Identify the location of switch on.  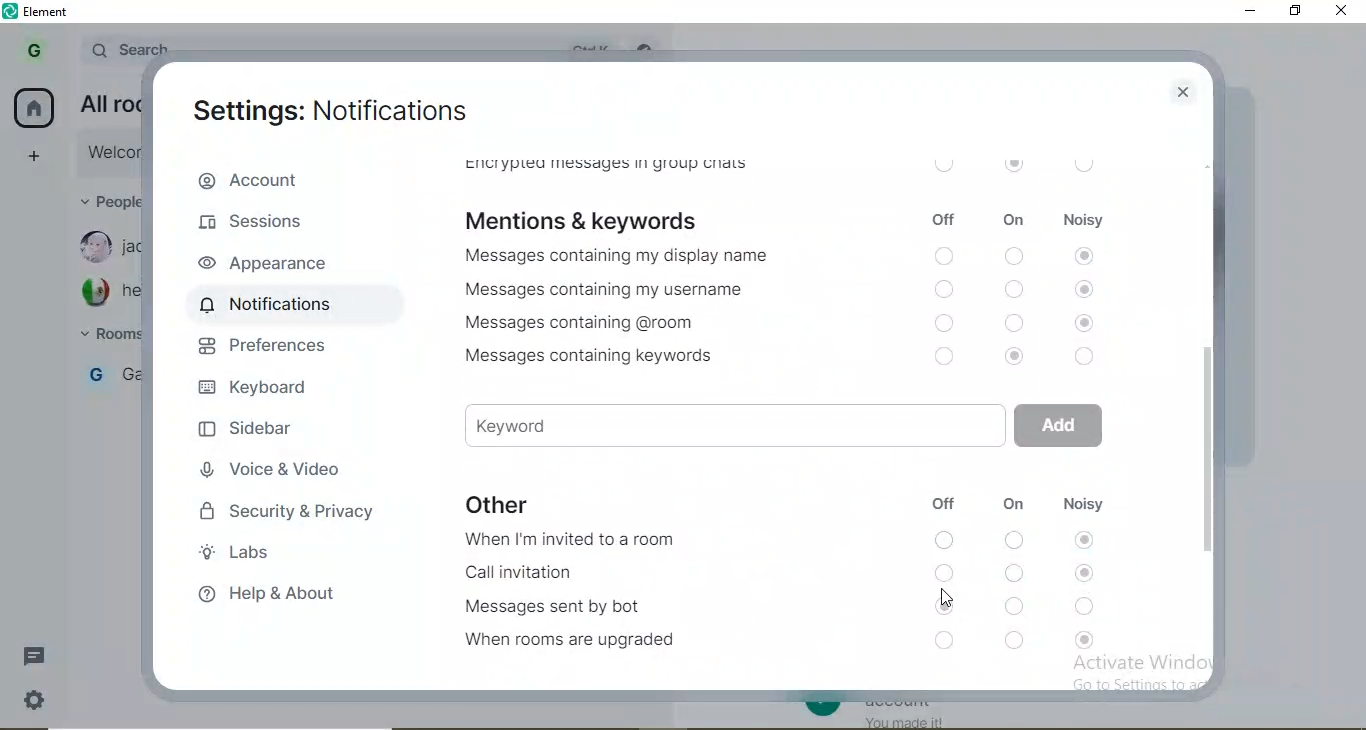
(1013, 575).